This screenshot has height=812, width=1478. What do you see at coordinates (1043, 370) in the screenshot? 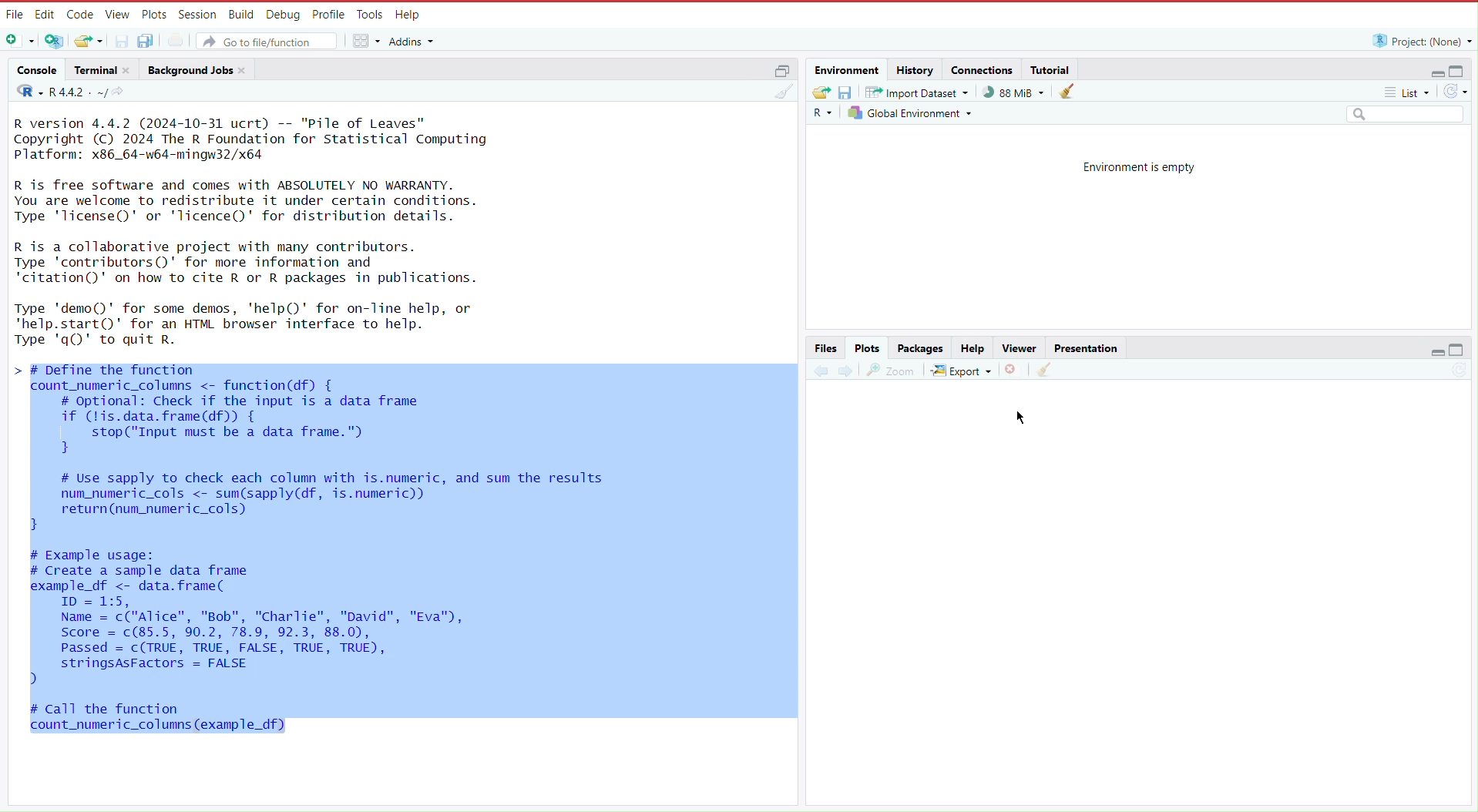
I see `Clear console (Ctrl +L)` at bounding box center [1043, 370].